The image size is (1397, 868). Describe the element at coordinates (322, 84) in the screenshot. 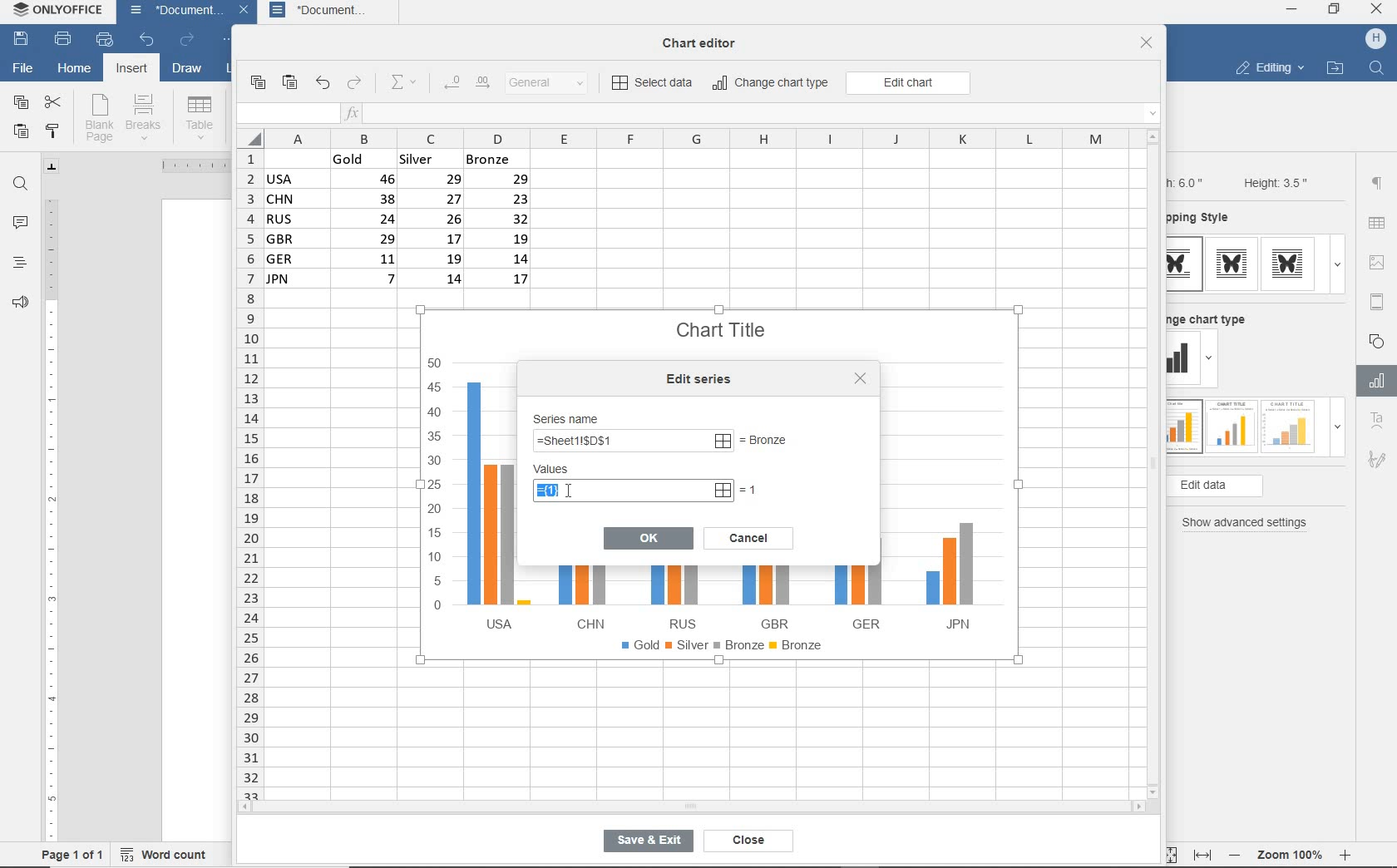

I see `undo` at that location.